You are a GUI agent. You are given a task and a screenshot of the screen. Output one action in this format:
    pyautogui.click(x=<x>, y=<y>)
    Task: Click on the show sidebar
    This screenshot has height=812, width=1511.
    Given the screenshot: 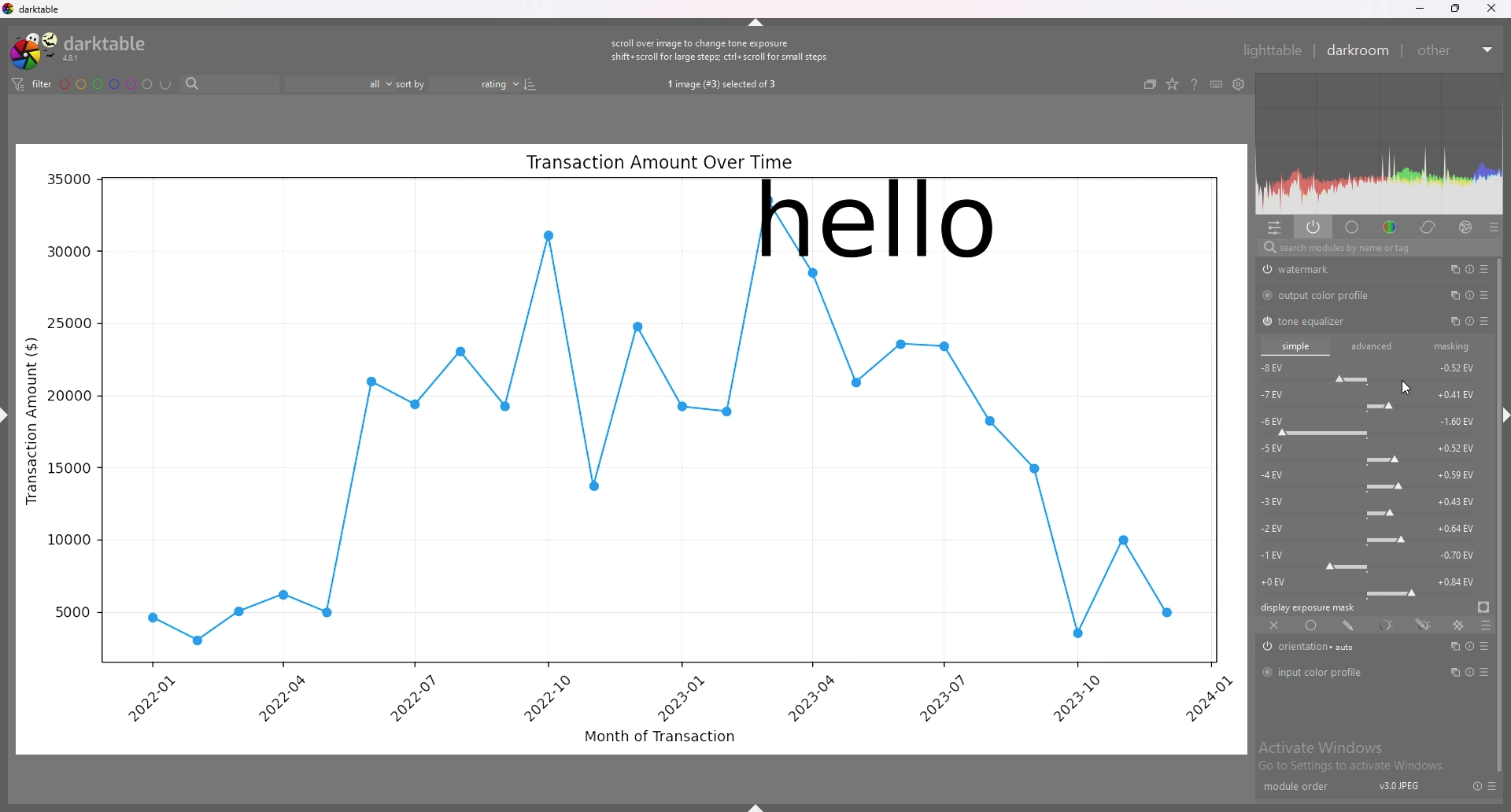 What is the action you would take?
    pyautogui.click(x=758, y=806)
    